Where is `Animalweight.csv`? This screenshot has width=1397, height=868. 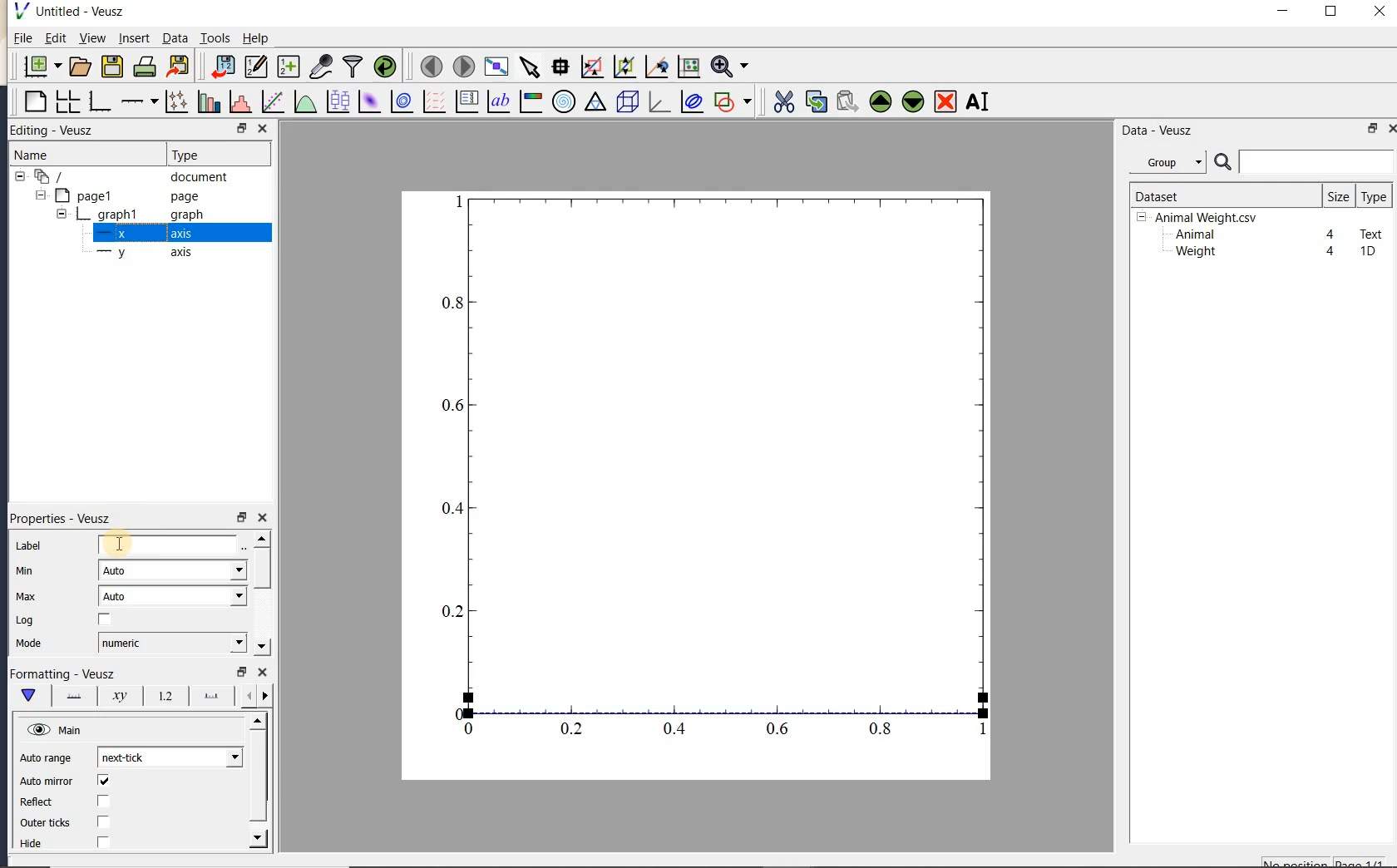
Animalweight.csv is located at coordinates (1201, 218).